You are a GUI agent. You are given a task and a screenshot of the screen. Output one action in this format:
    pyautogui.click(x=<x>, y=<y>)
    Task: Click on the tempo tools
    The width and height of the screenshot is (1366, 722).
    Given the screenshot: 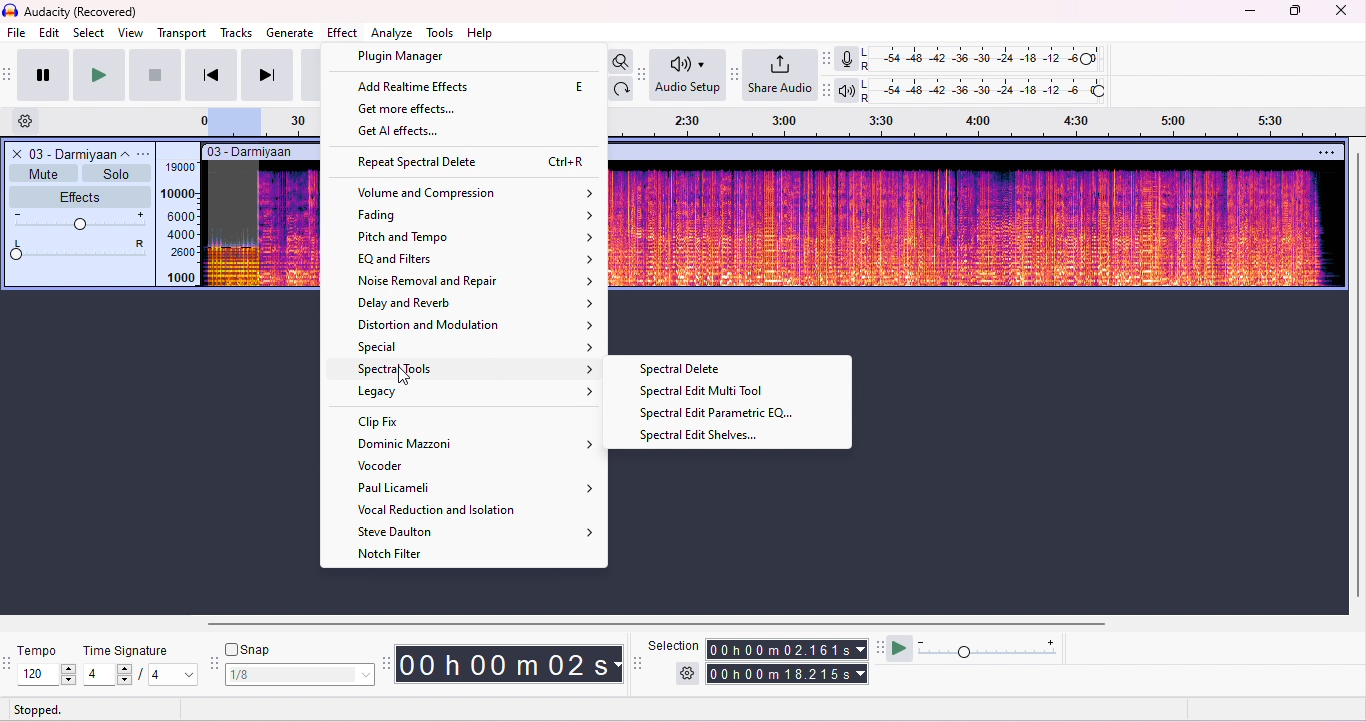 What is the action you would take?
    pyautogui.click(x=9, y=665)
    